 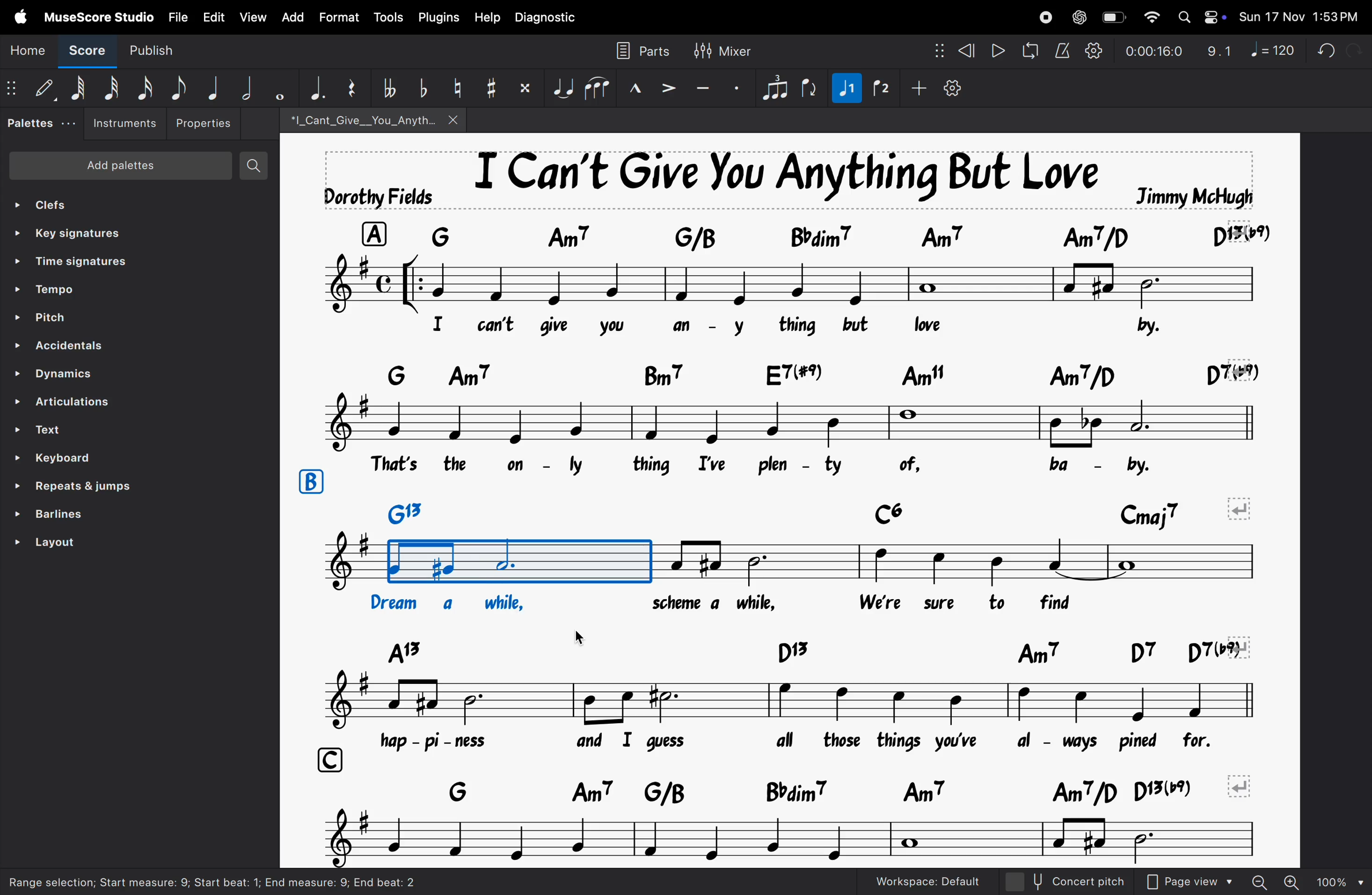 I want to click on Add patients, so click(x=121, y=166).